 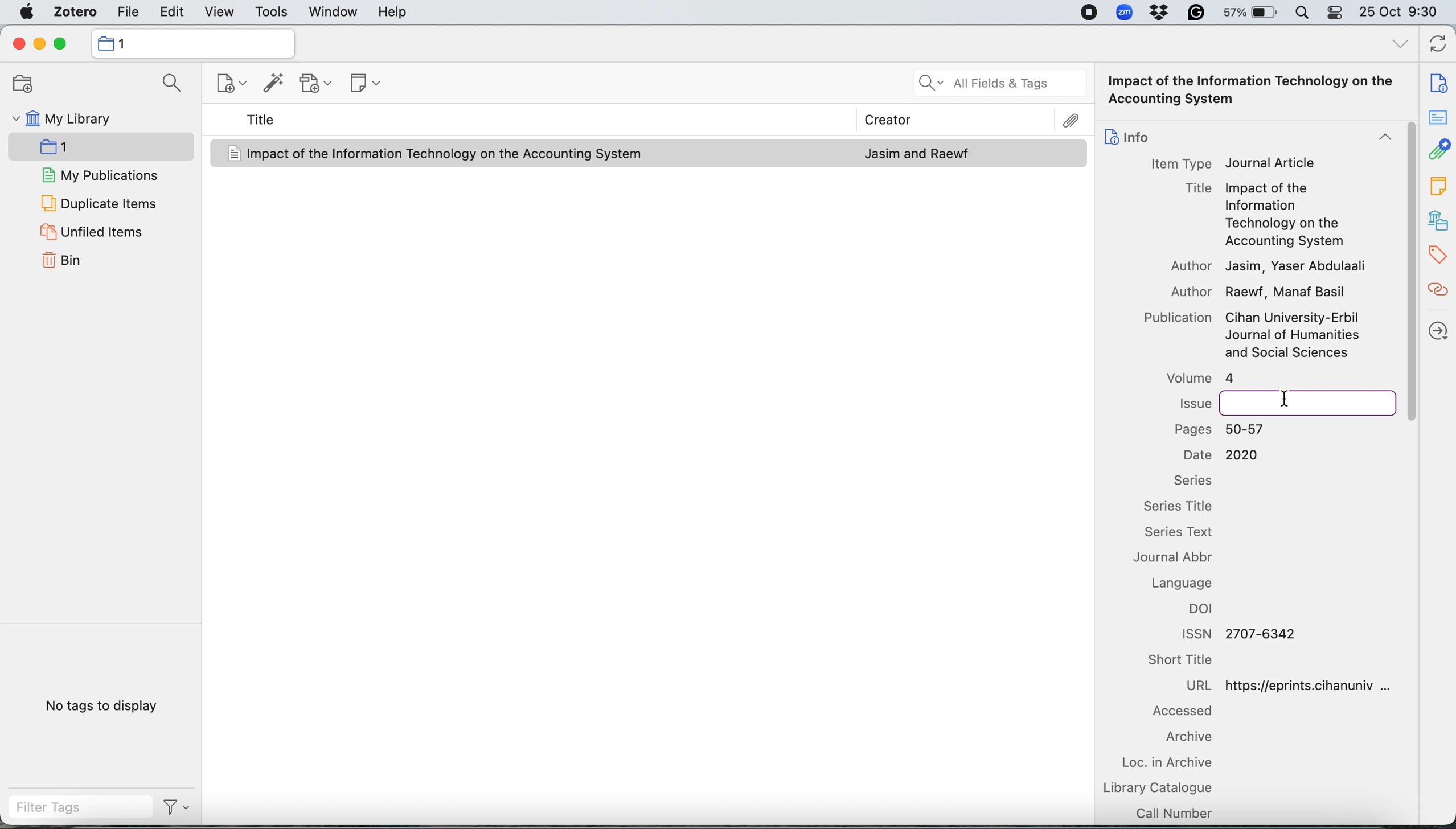 I want to click on add item by identifier, so click(x=273, y=84).